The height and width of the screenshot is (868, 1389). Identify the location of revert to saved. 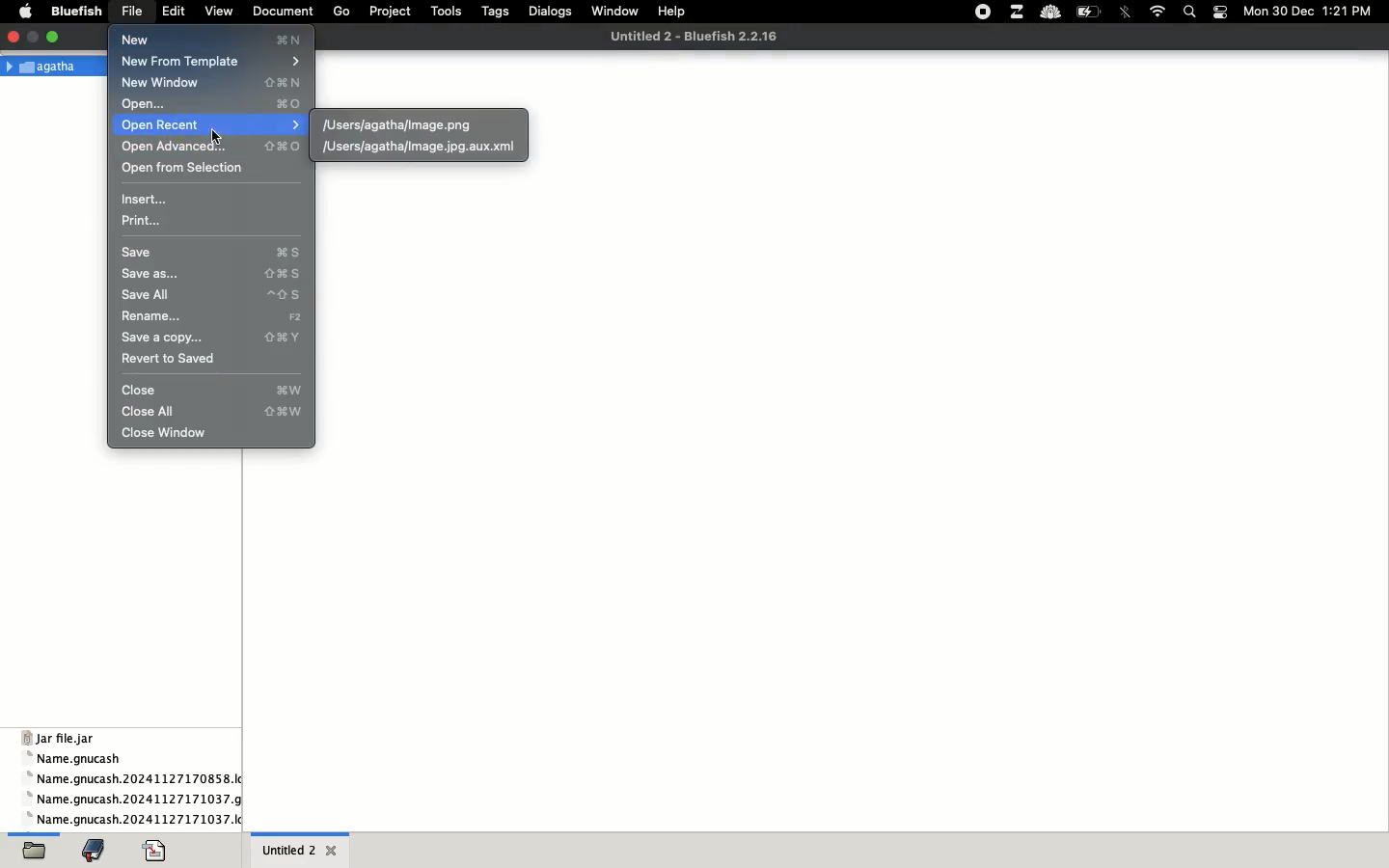
(169, 357).